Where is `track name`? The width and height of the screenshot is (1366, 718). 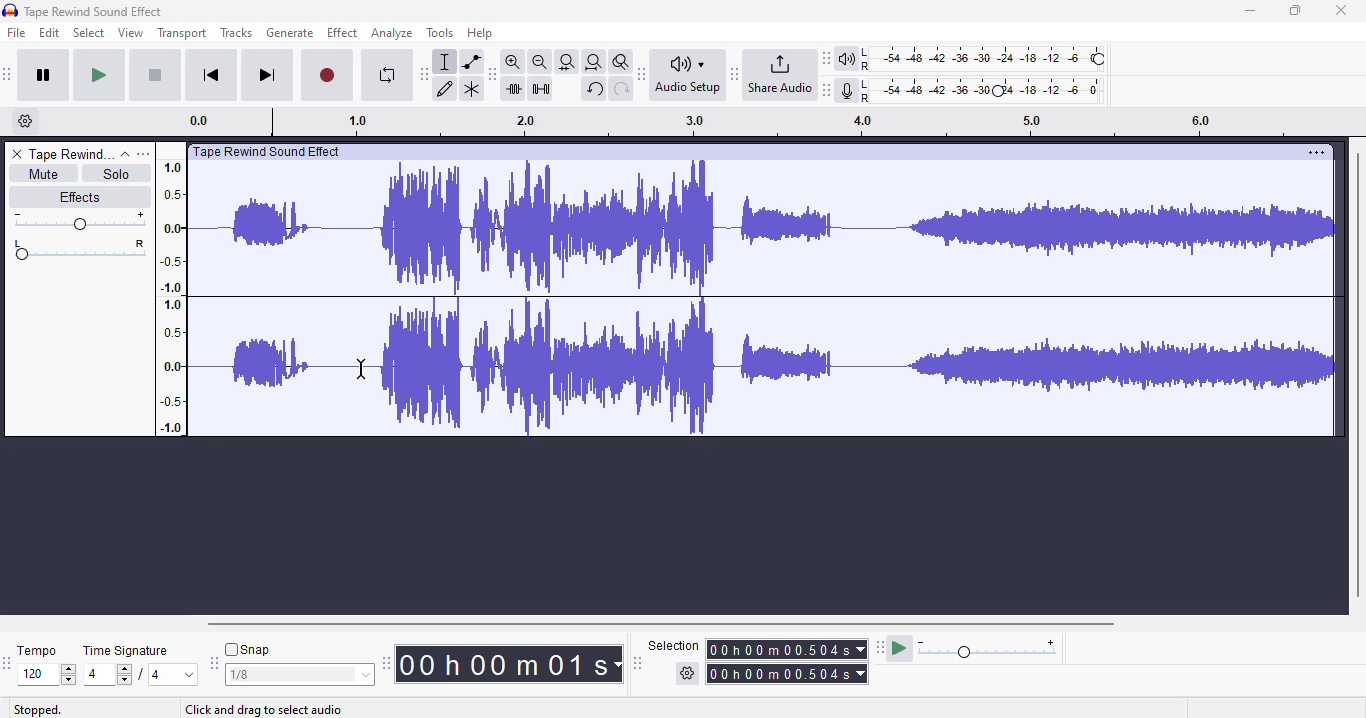 track name is located at coordinates (72, 153).